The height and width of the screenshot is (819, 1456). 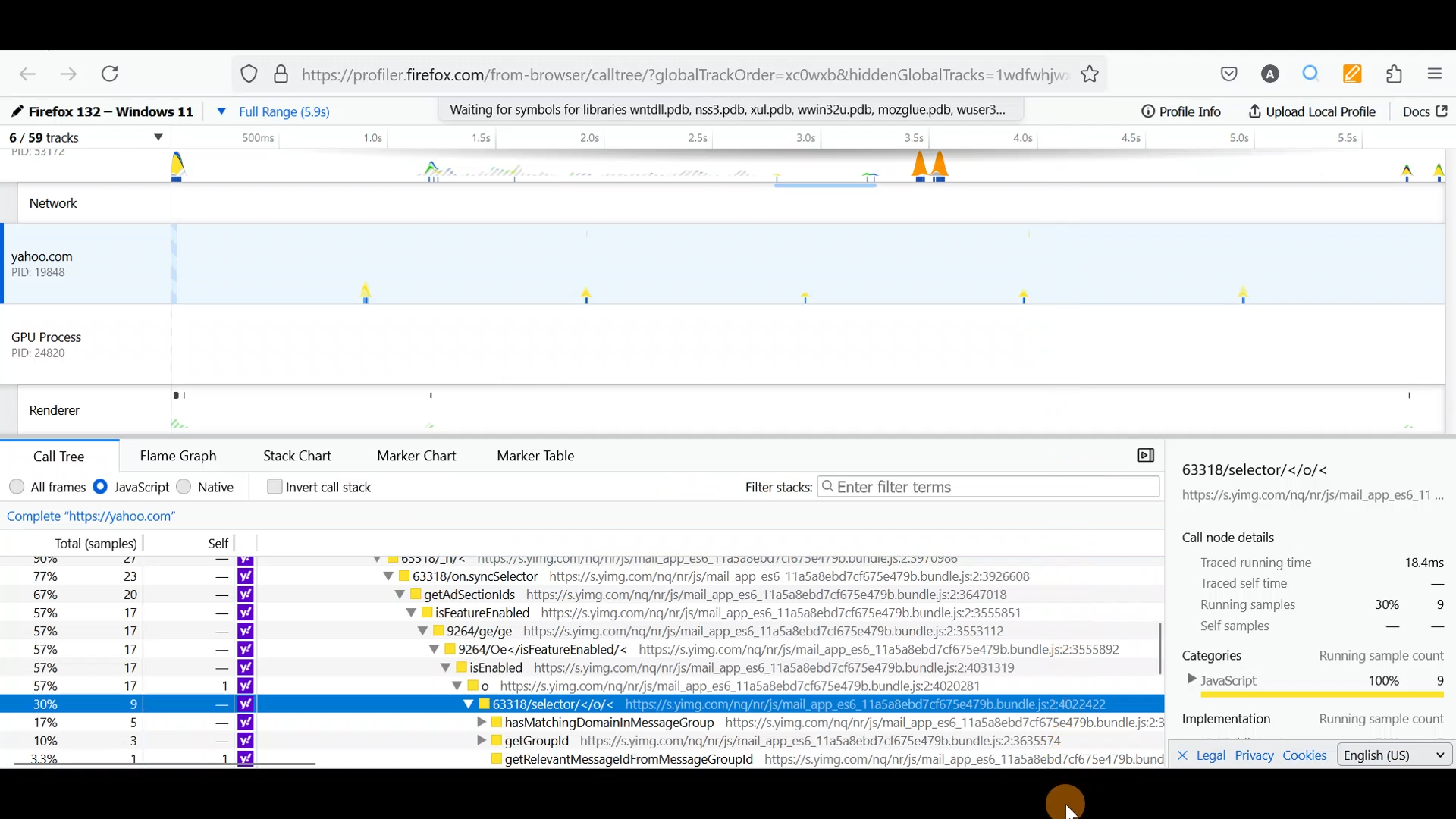 I want to click on | English (US), so click(x=1385, y=756).